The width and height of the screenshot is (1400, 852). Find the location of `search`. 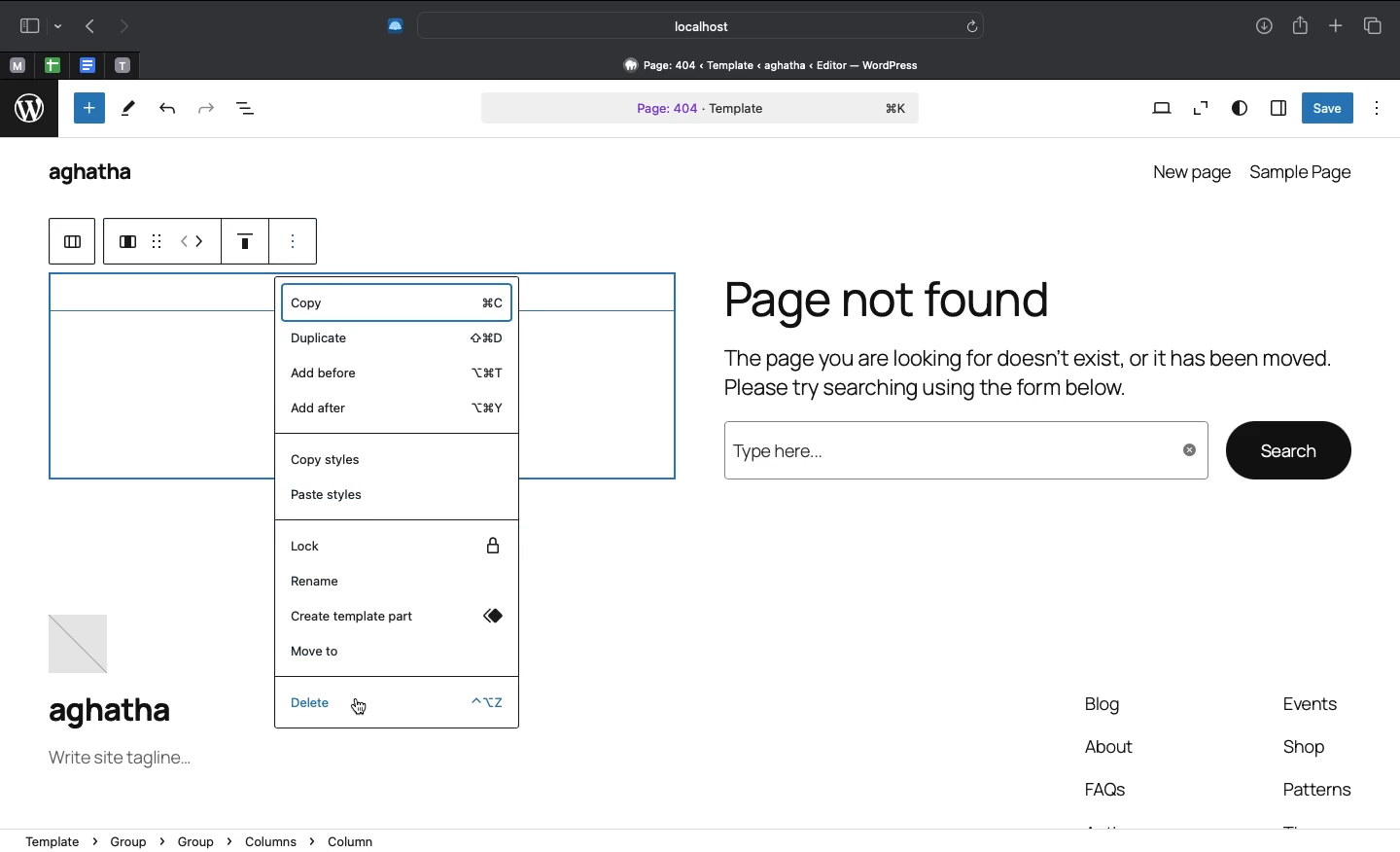

search is located at coordinates (1290, 448).